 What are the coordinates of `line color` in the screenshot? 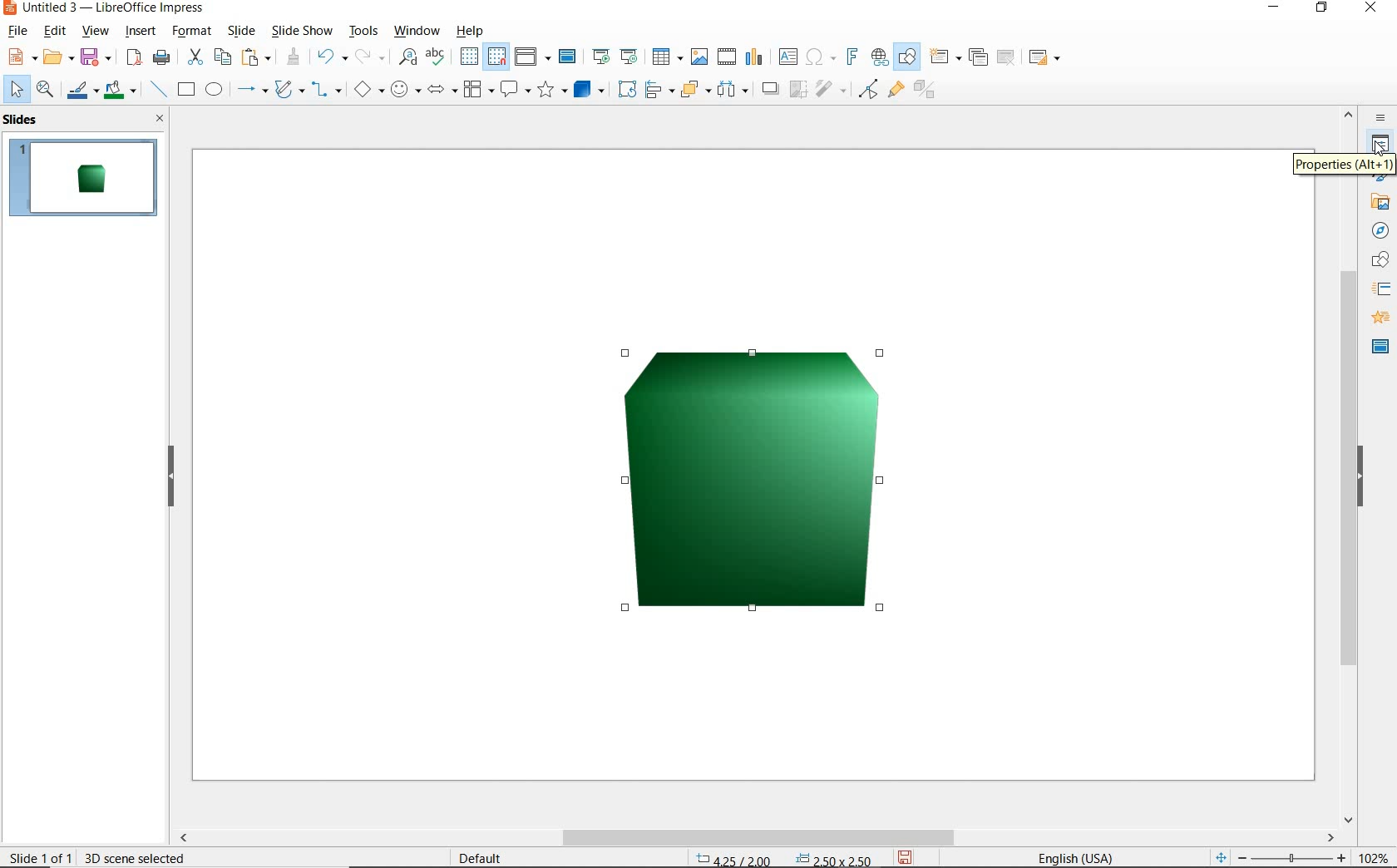 It's located at (81, 91).